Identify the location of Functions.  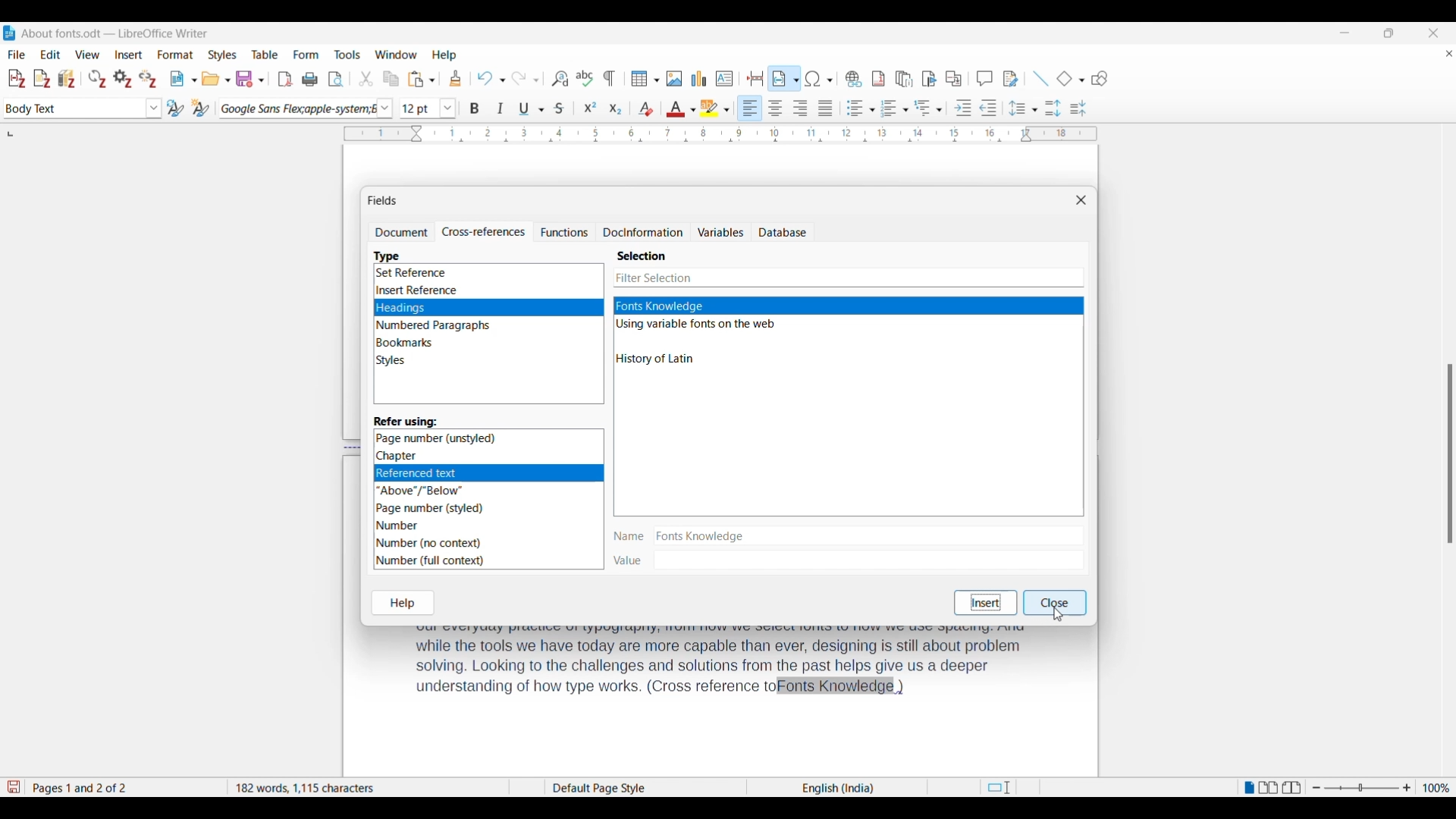
(564, 231).